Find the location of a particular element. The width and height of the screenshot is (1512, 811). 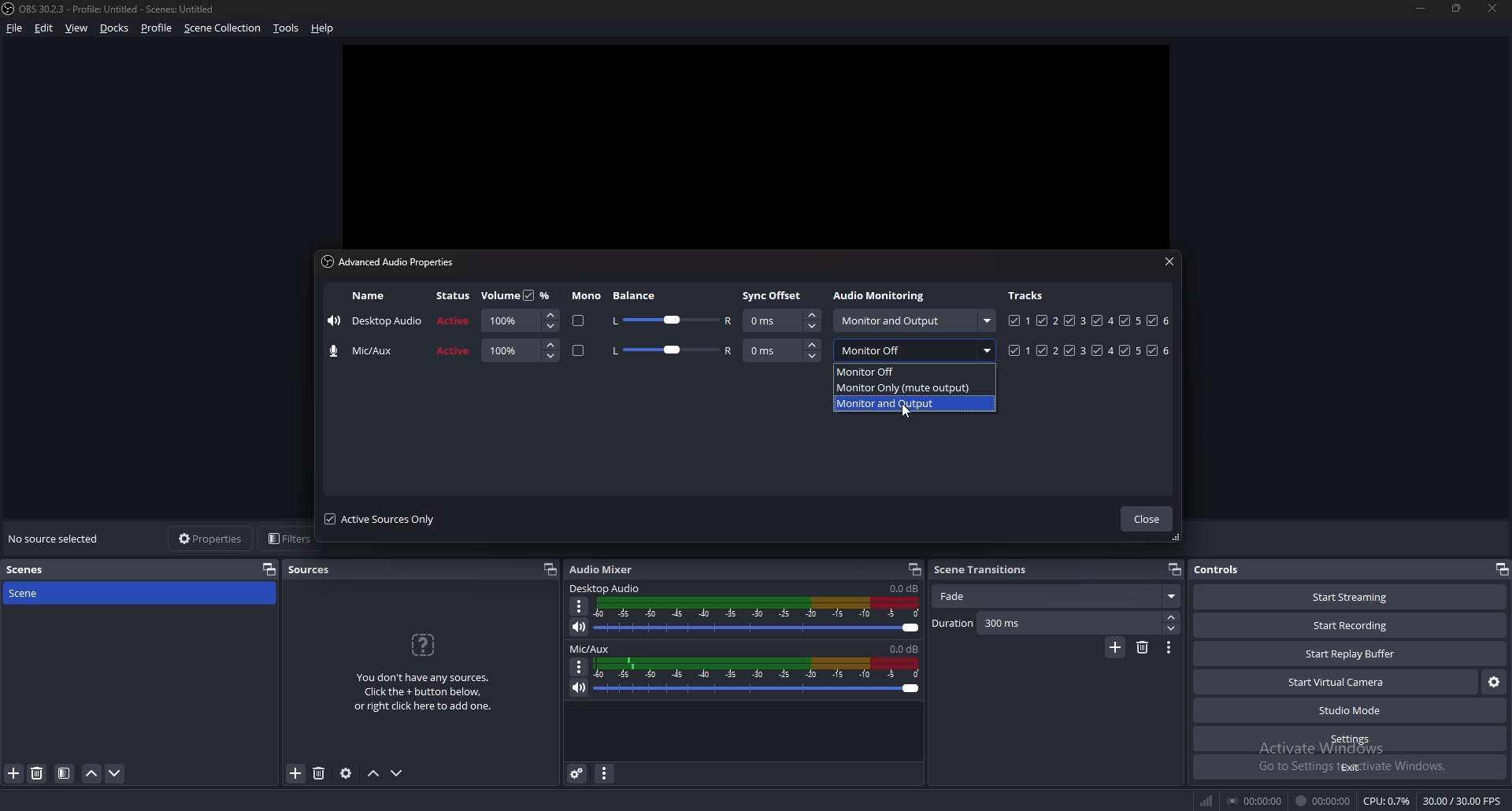

transition properties is located at coordinates (1169, 649).